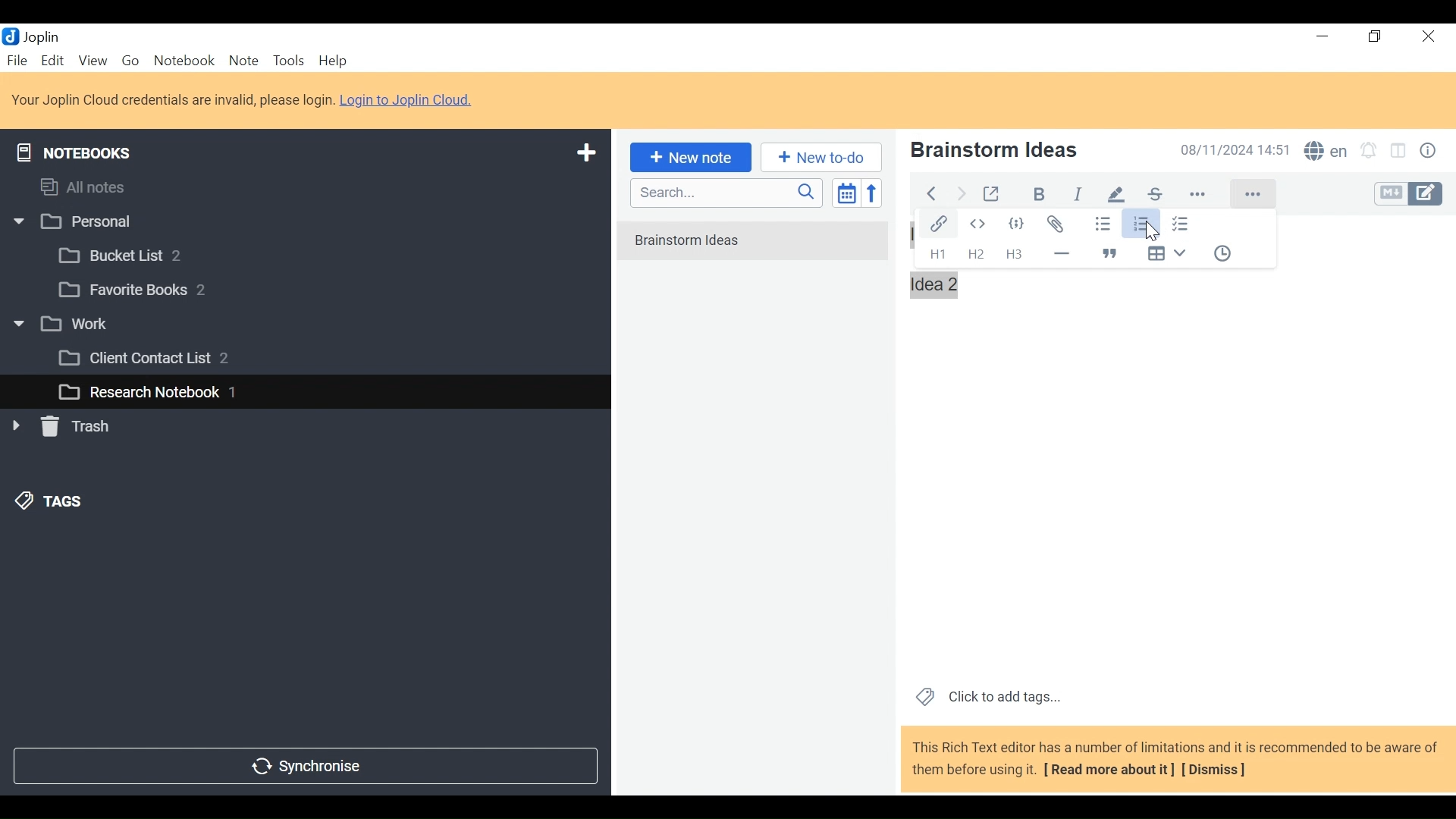 The height and width of the screenshot is (819, 1456). I want to click on Help, so click(335, 61).